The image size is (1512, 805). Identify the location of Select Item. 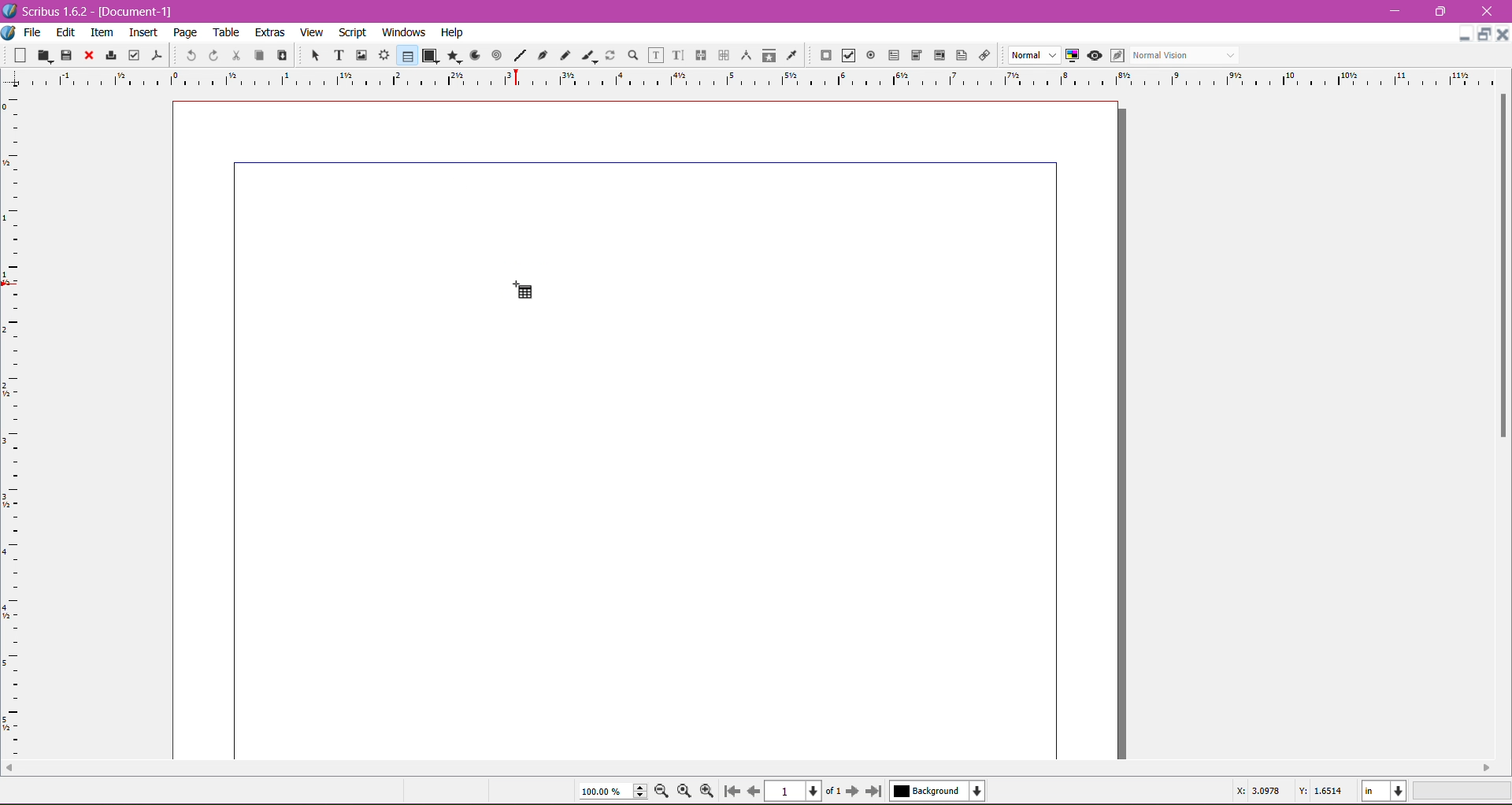
(309, 54).